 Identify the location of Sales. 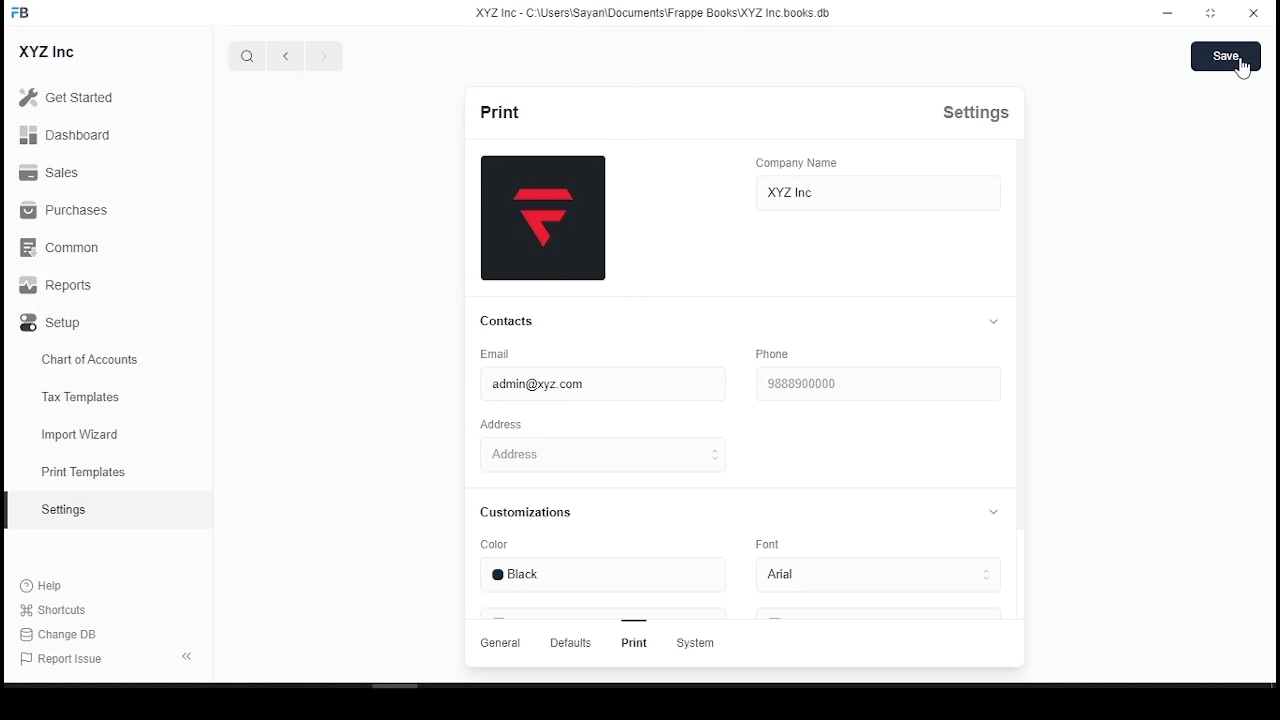
(52, 171).